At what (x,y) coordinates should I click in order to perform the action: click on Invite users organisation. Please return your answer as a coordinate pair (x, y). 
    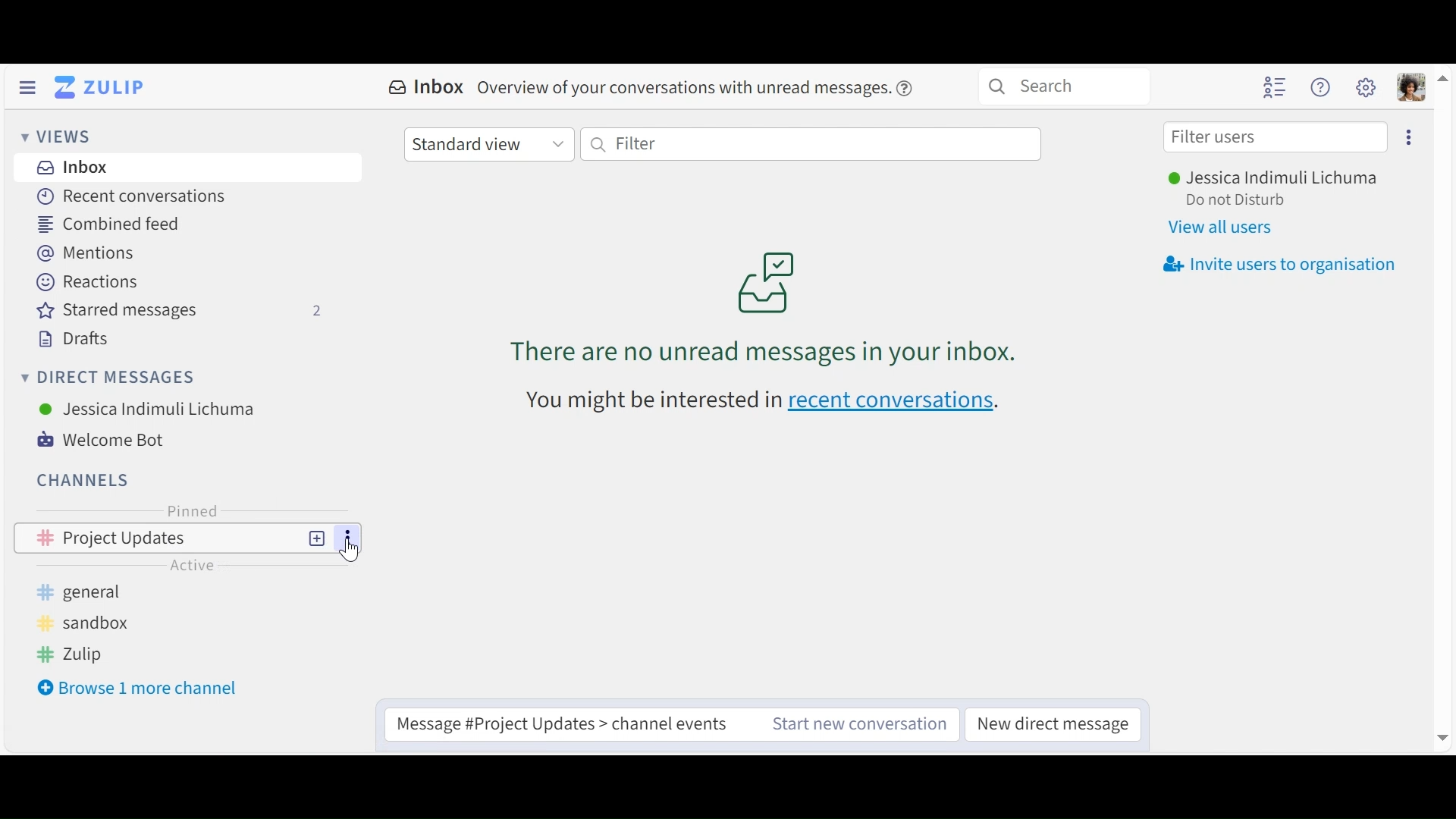
    Looking at the image, I should click on (1279, 262).